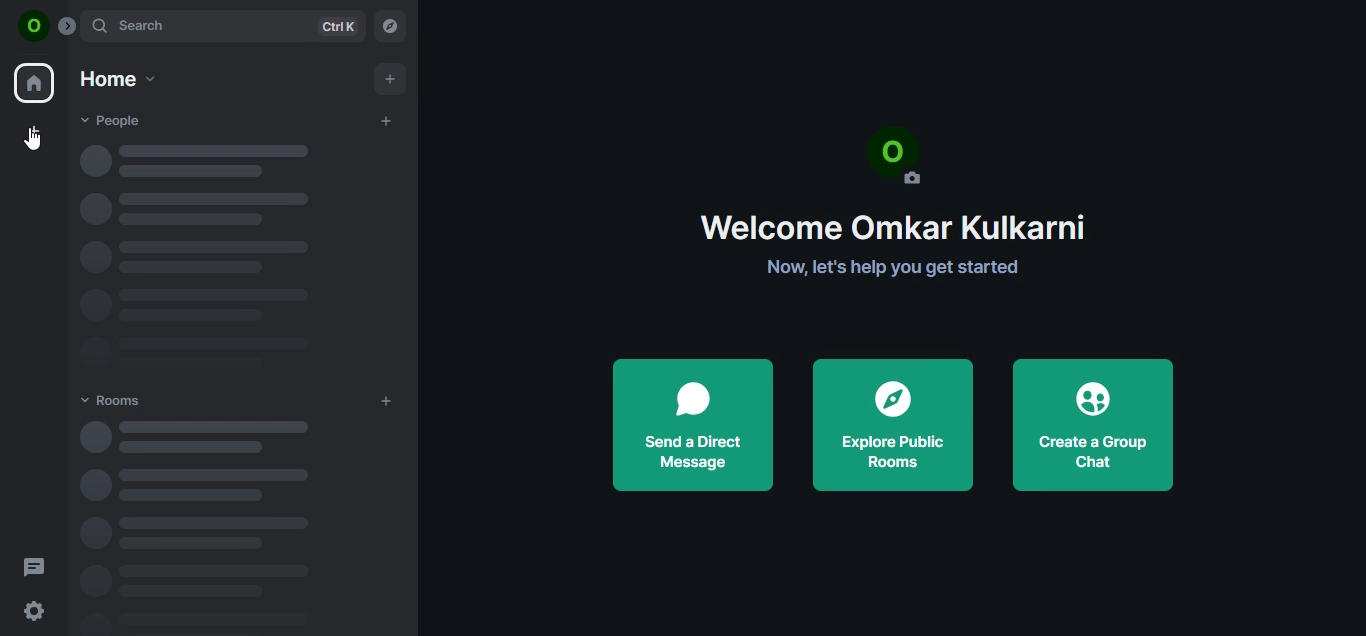  Describe the element at coordinates (34, 131) in the screenshot. I see `create a space` at that location.